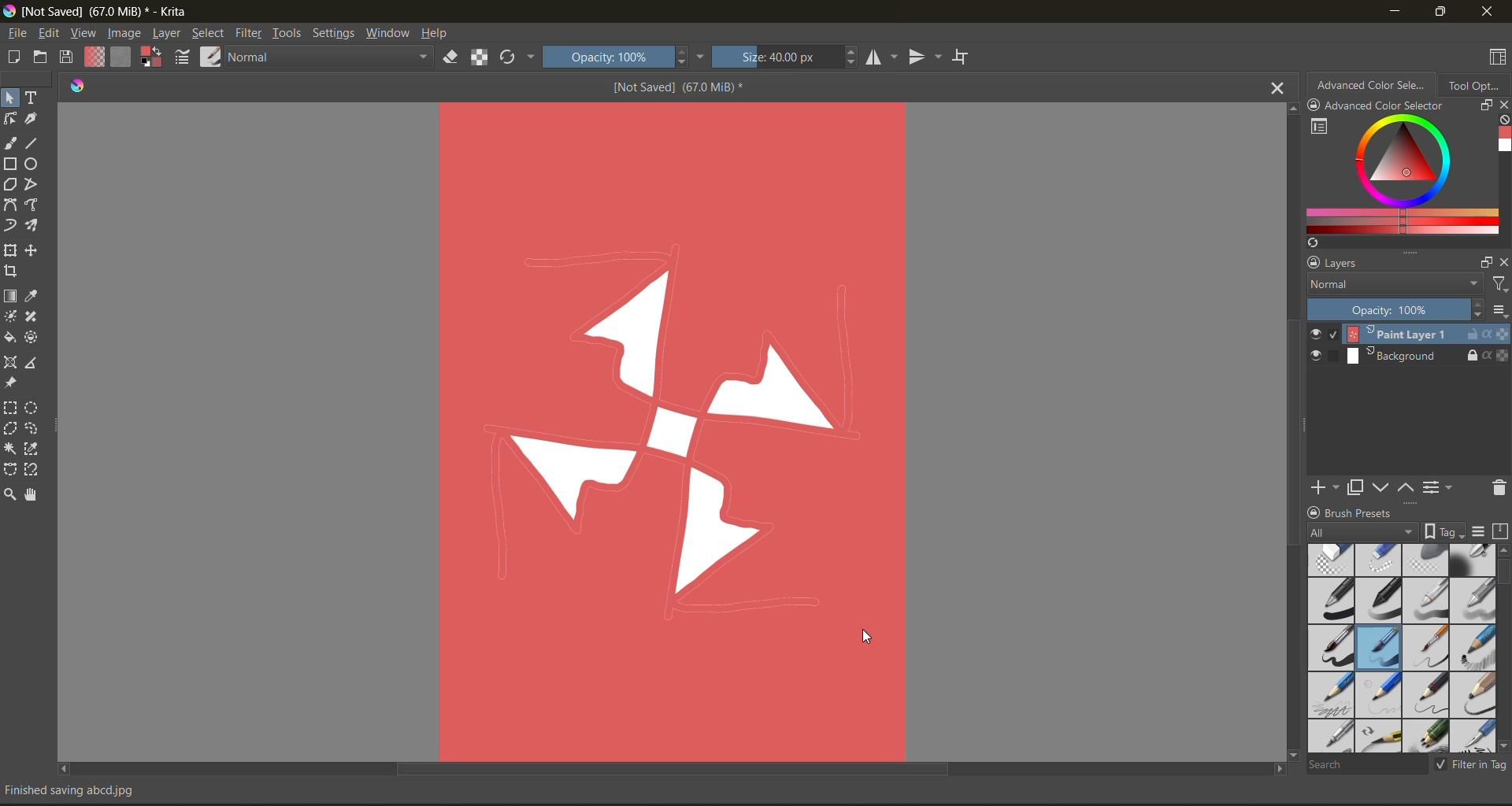 Image resolution: width=1512 pixels, height=806 pixels. What do you see at coordinates (213, 57) in the screenshot?
I see `choose brush preset` at bounding box center [213, 57].